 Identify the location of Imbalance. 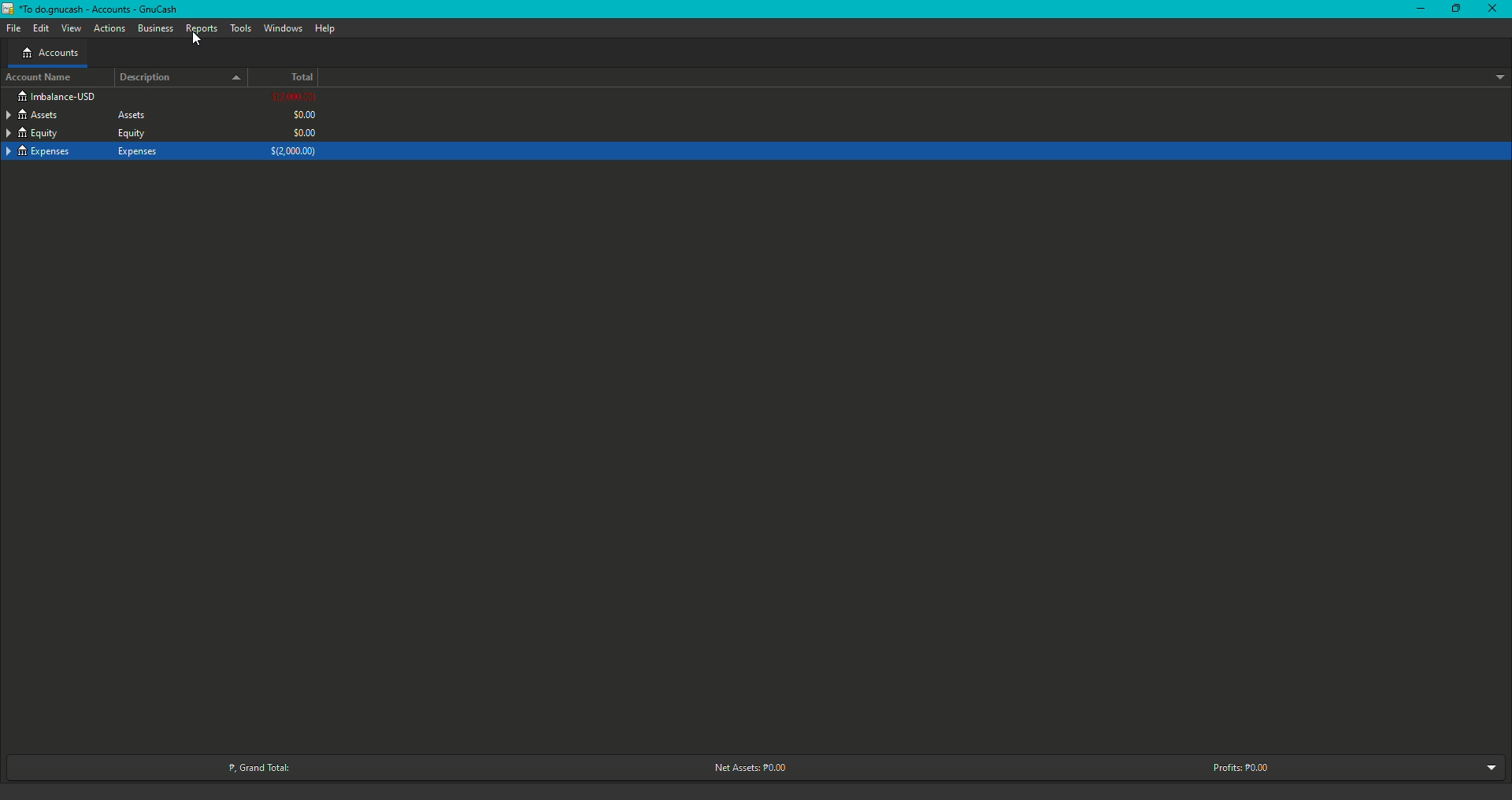
(57, 96).